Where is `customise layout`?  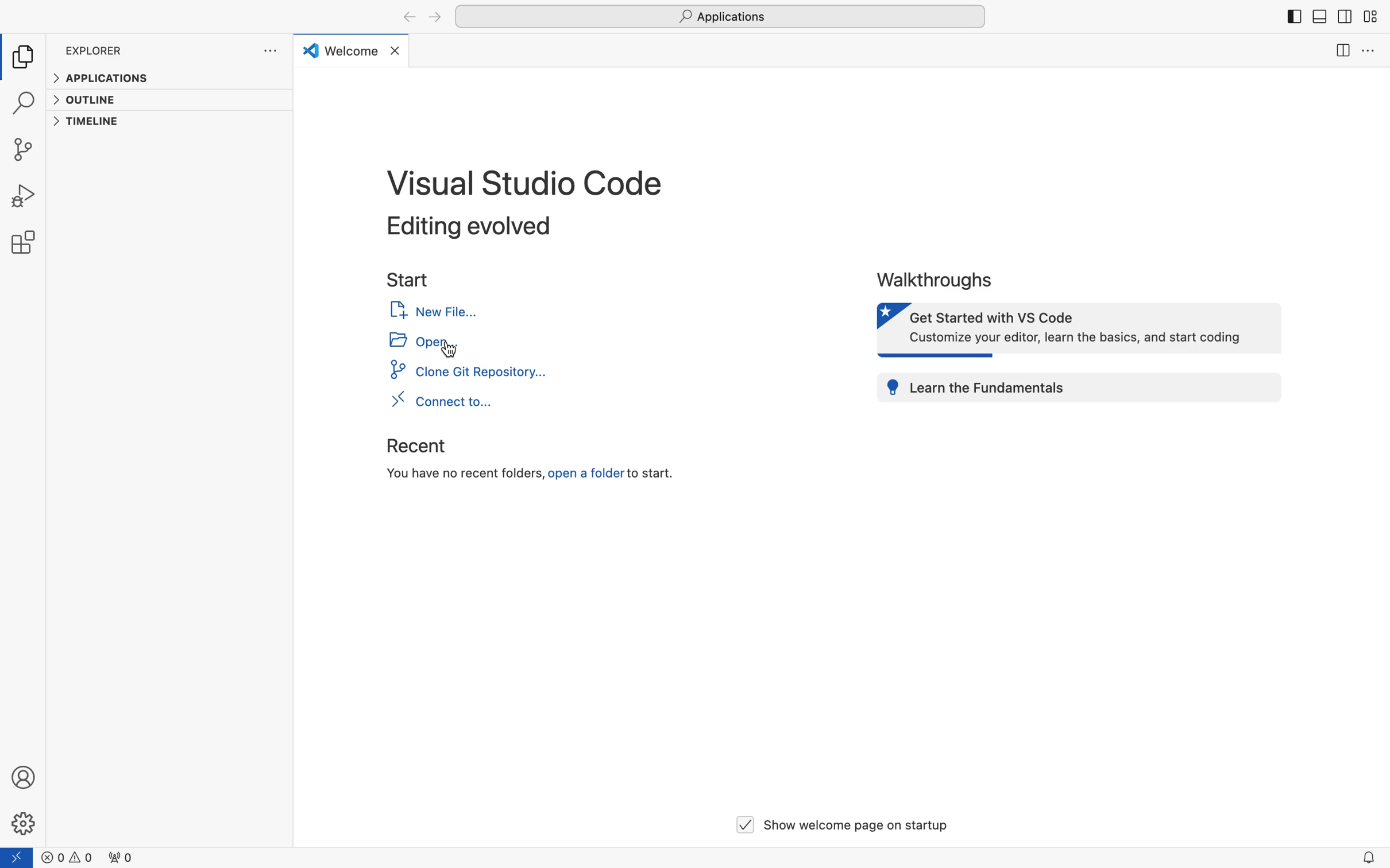
customise layout is located at coordinates (1369, 18).